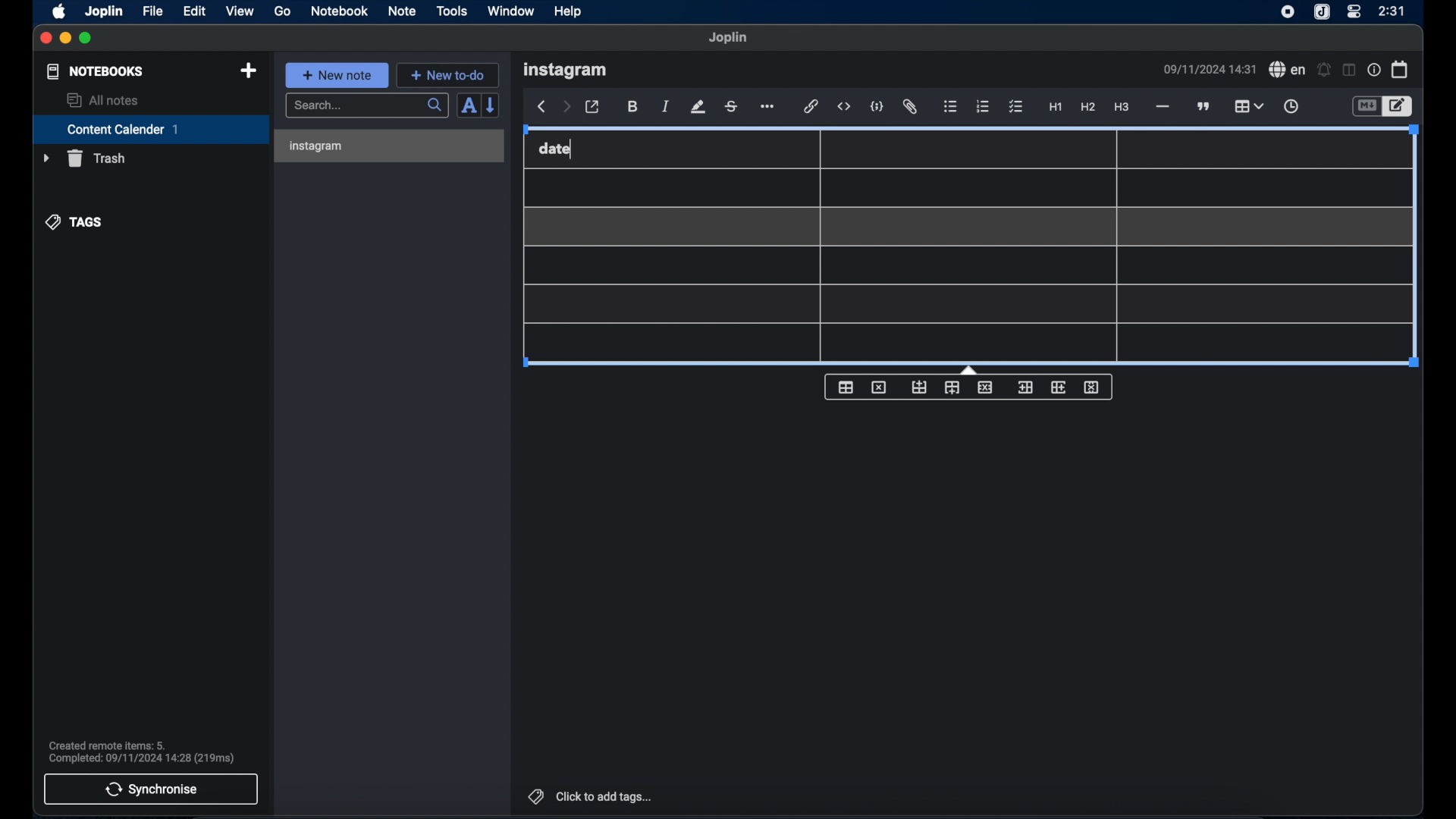 Image resolution: width=1456 pixels, height=819 pixels. Describe the element at coordinates (591, 796) in the screenshot. I see `click to add tags` at that location.